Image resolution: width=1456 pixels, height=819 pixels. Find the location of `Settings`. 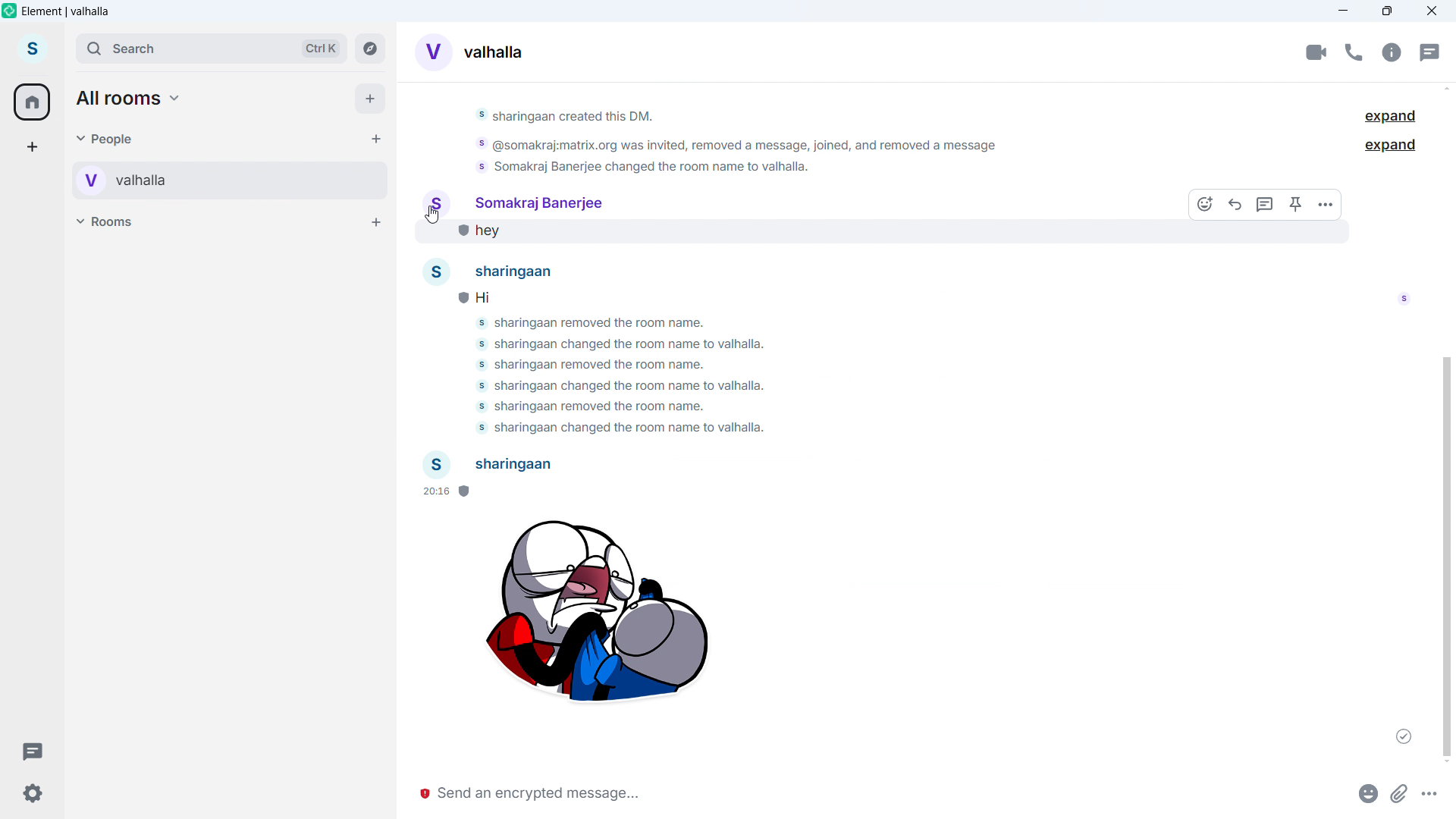

Settings is located at coordinates (29, 797).